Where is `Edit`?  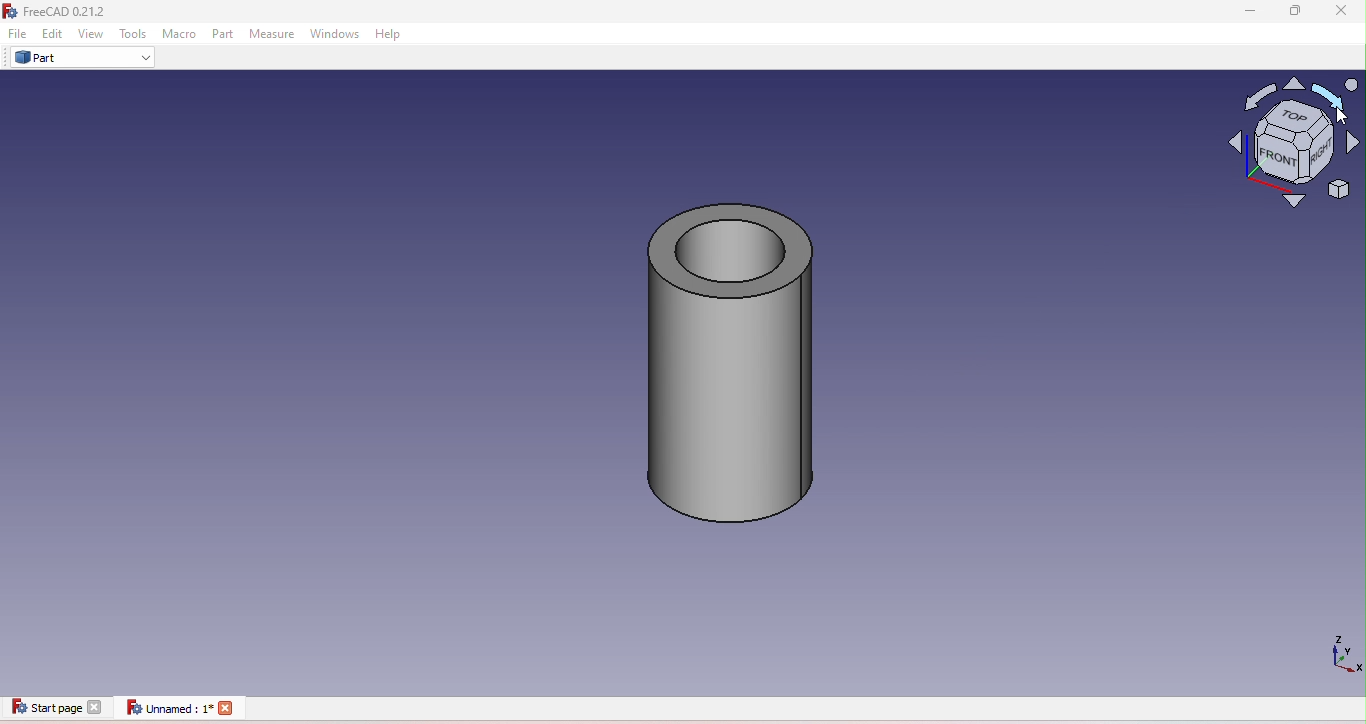 Edit is located at coordinates (54, 34).